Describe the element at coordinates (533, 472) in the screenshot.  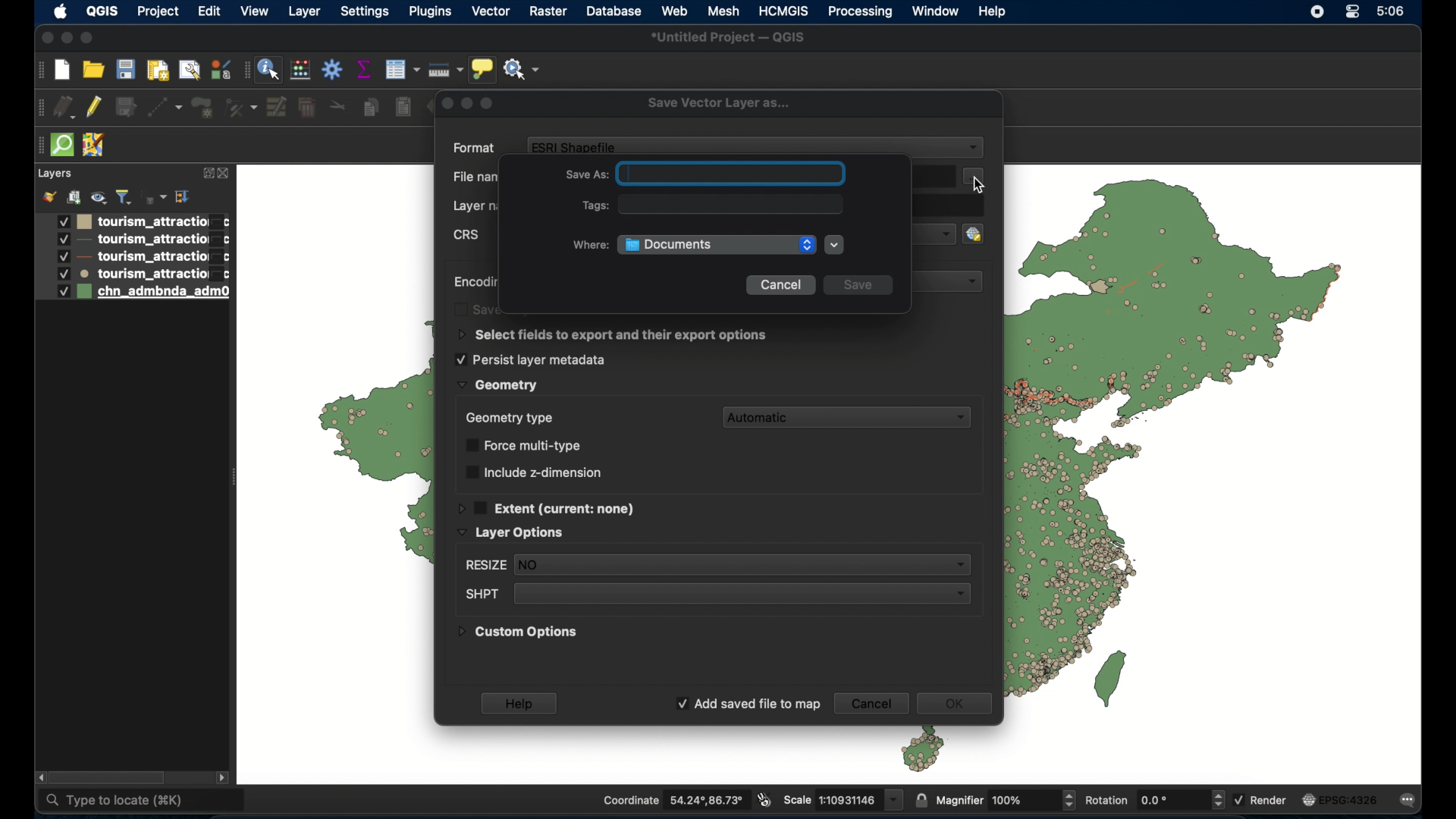
I see `include z dimension checkbox` at that location.